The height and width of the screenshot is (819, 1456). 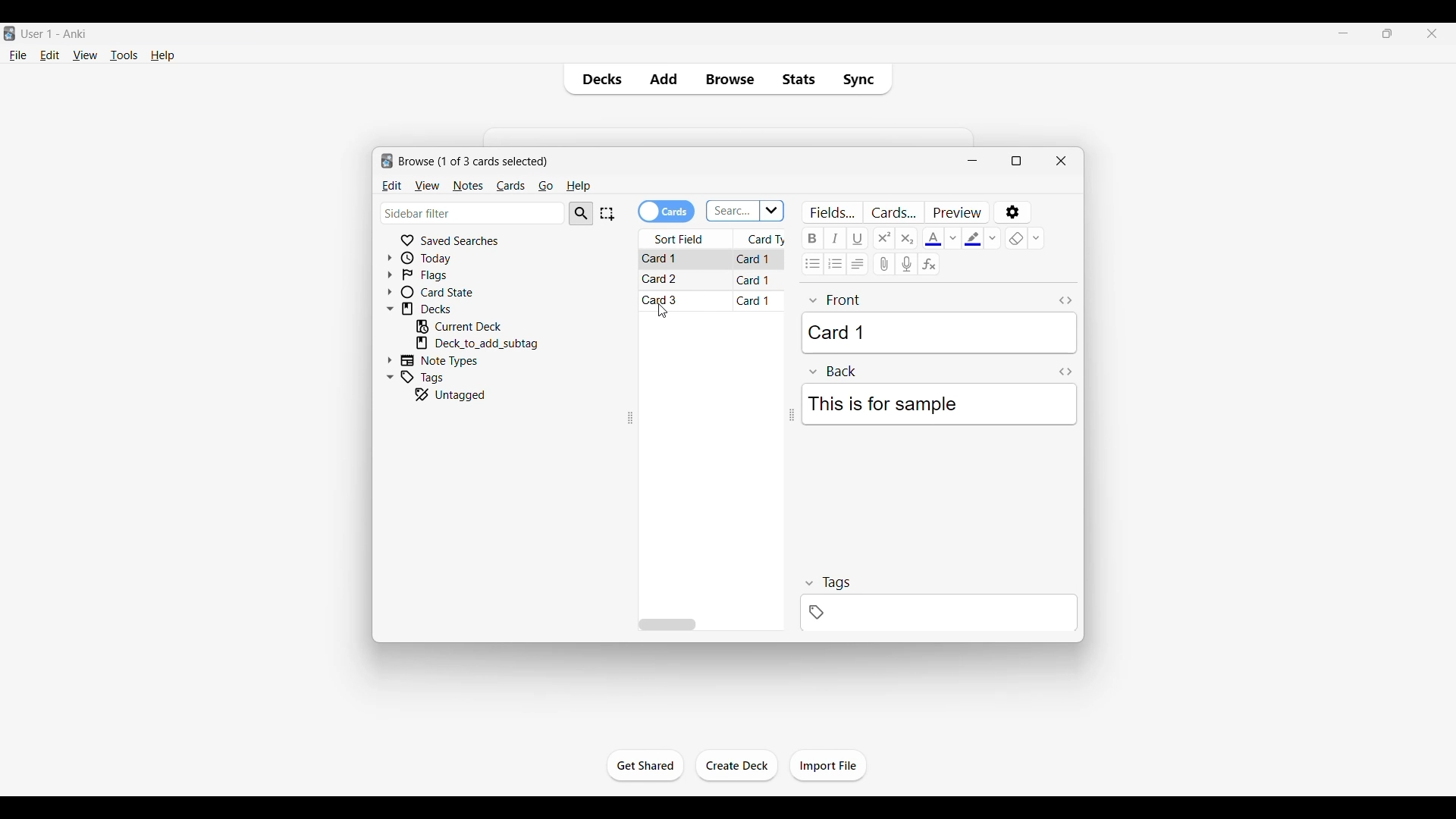 What do you see at coordinates (545, 187) in the screenshot?
I see `Go menu` at bounding box center [545, 187].